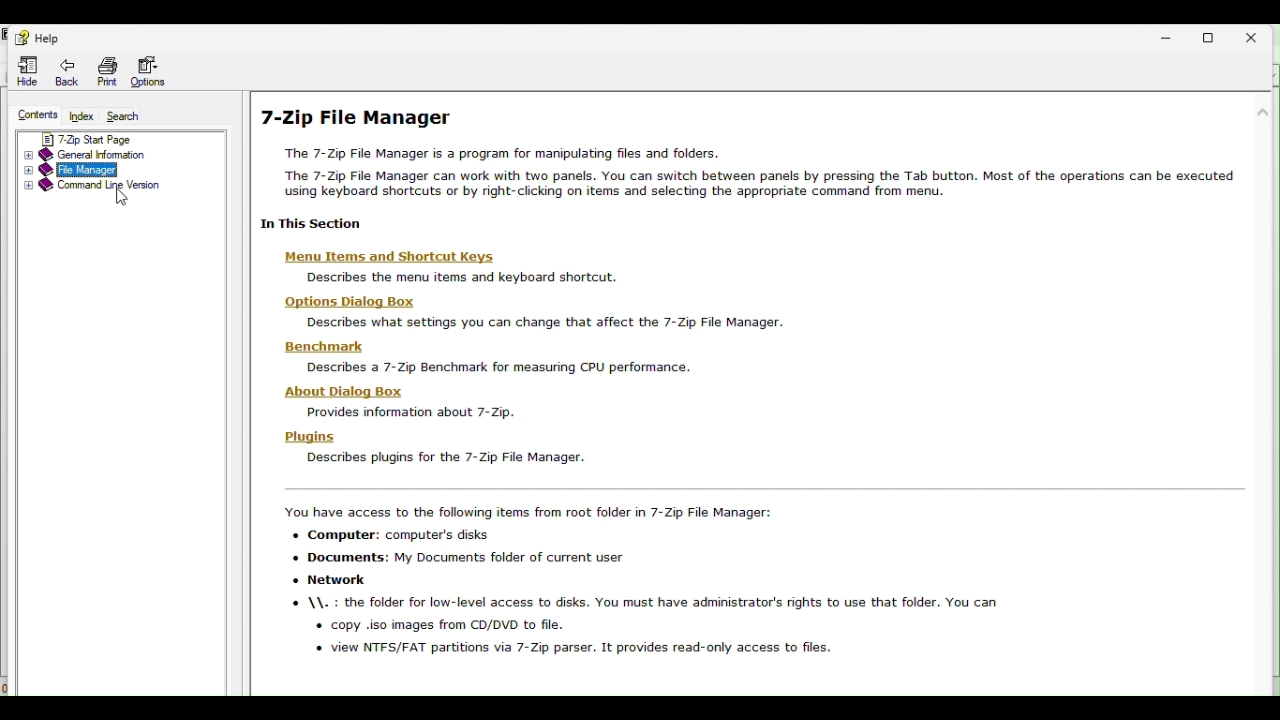 This screenshot has height=720, width=1280. What do you see at coordinates (81, 117) in the screenshot?
I see `Index` at bounding box center [81, 117].